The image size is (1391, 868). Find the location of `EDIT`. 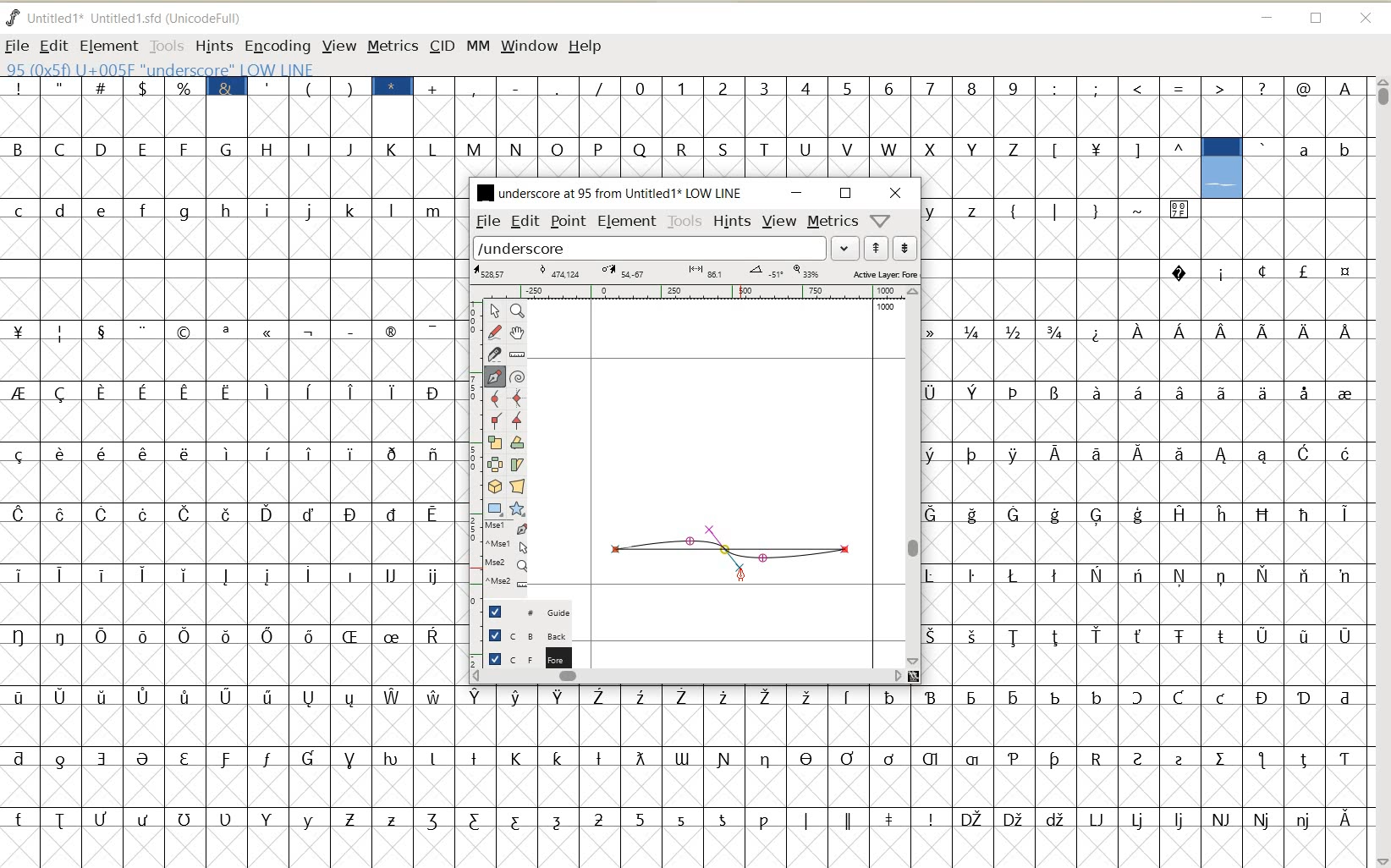

EDIT is located at coordinates (525, 221).